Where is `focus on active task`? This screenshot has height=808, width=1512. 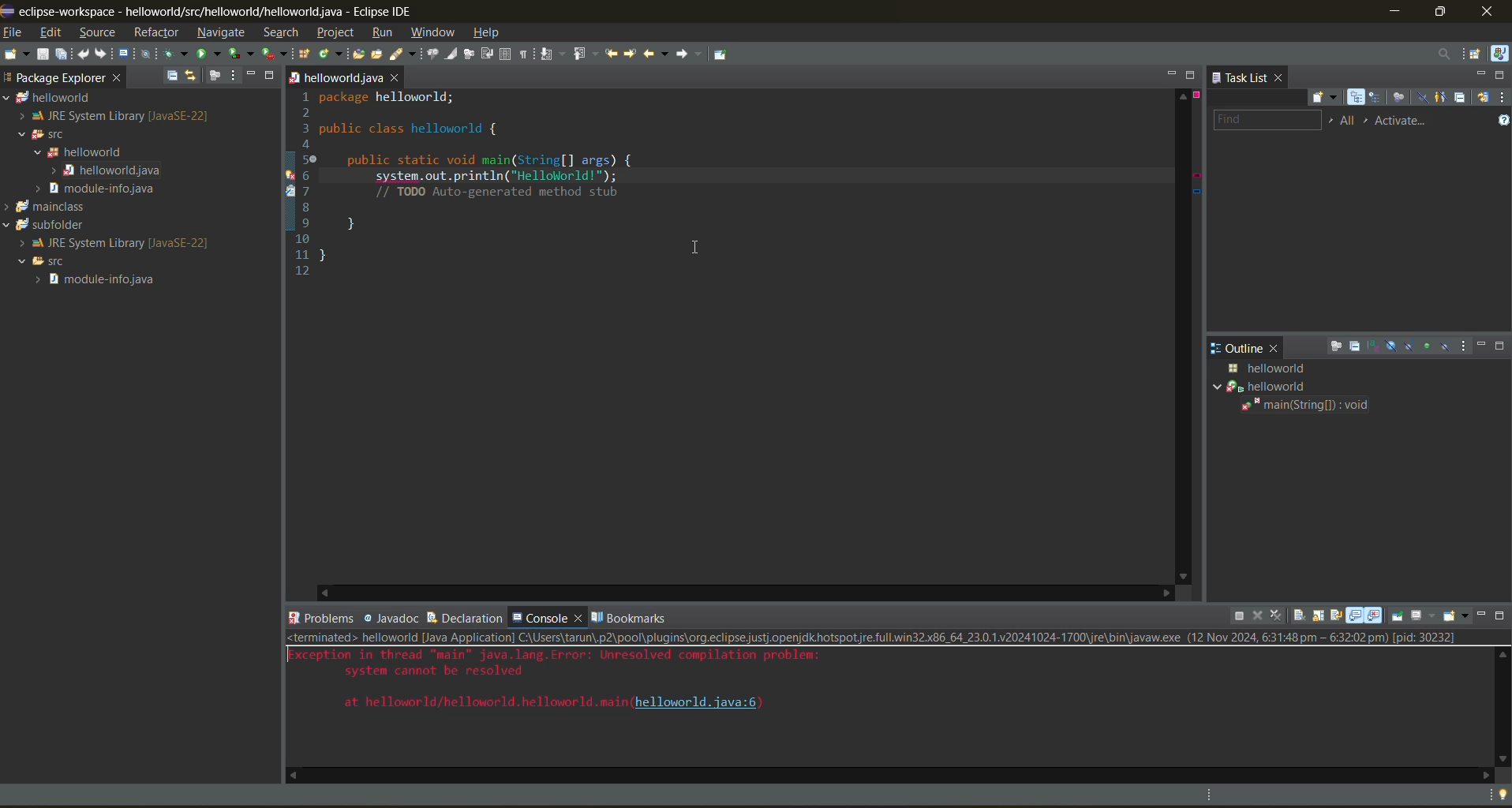
focus on active task is located at coordinates (217, 74).